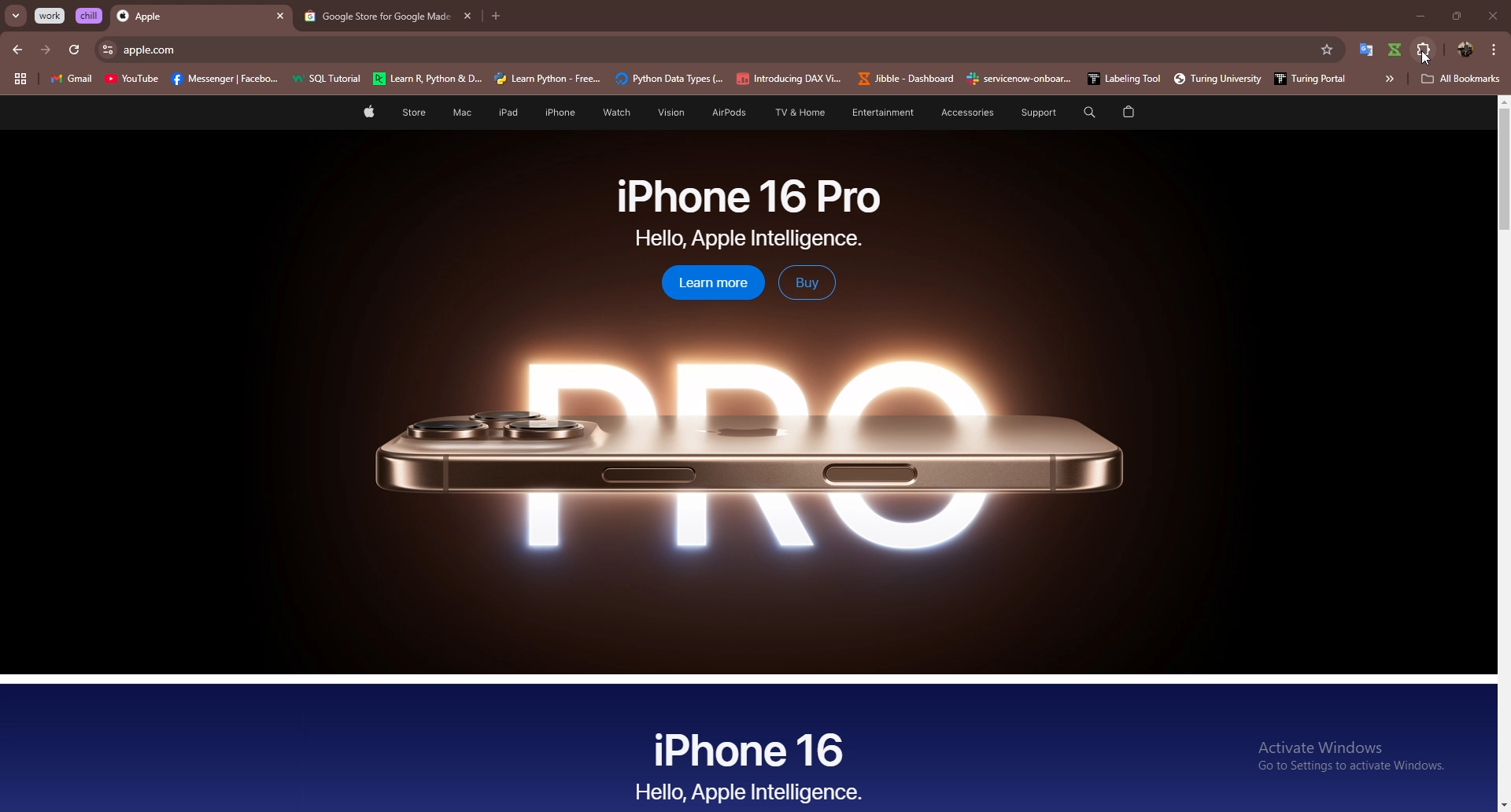 This screenshot has width=1511, height=812. Describe the element at coordinates (669, 79) in the screenshot. I see `Phyton Data Types(...` at that location.